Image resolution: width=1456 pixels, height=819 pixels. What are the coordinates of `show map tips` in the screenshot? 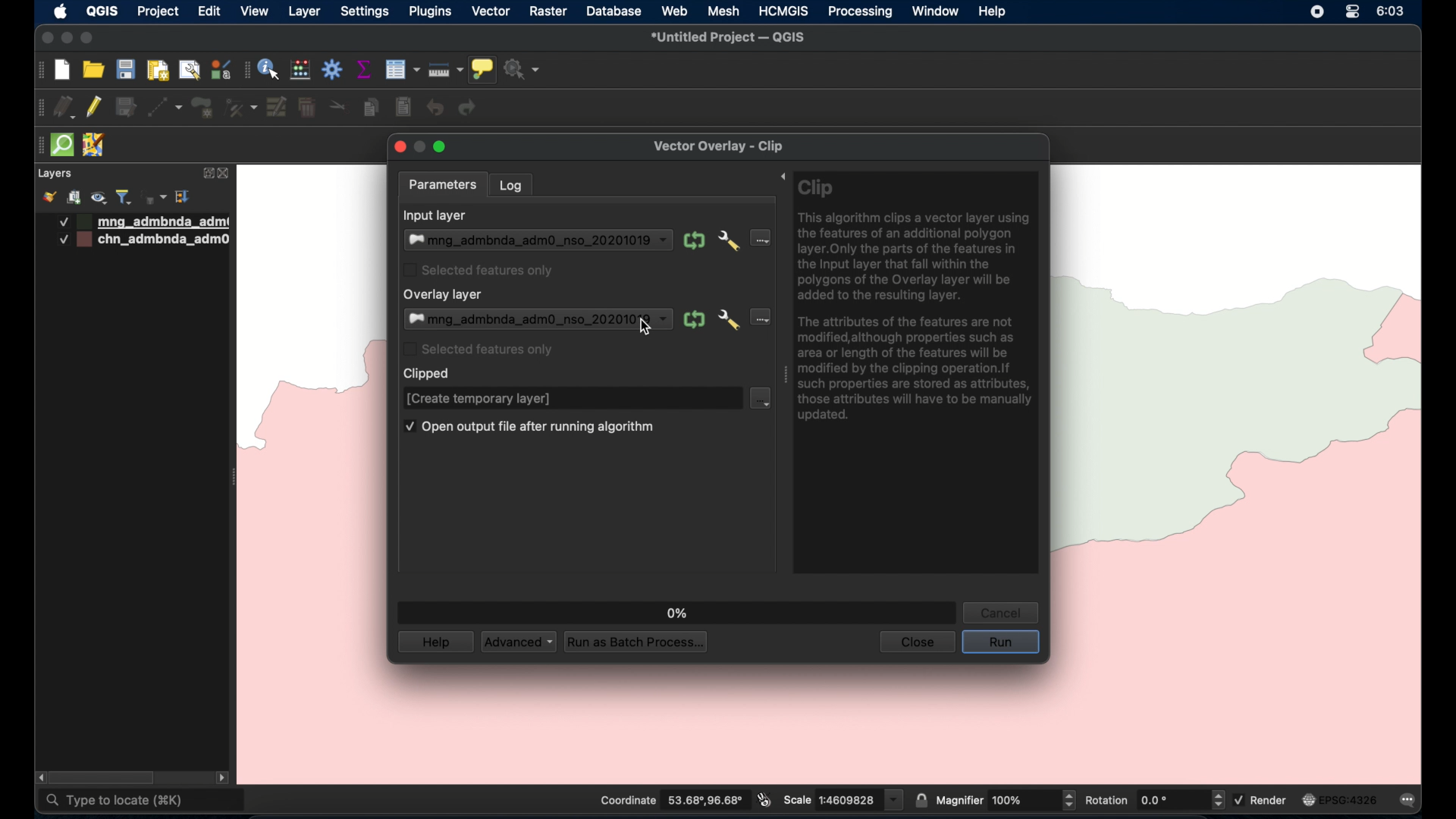 It's located at (482, 70).